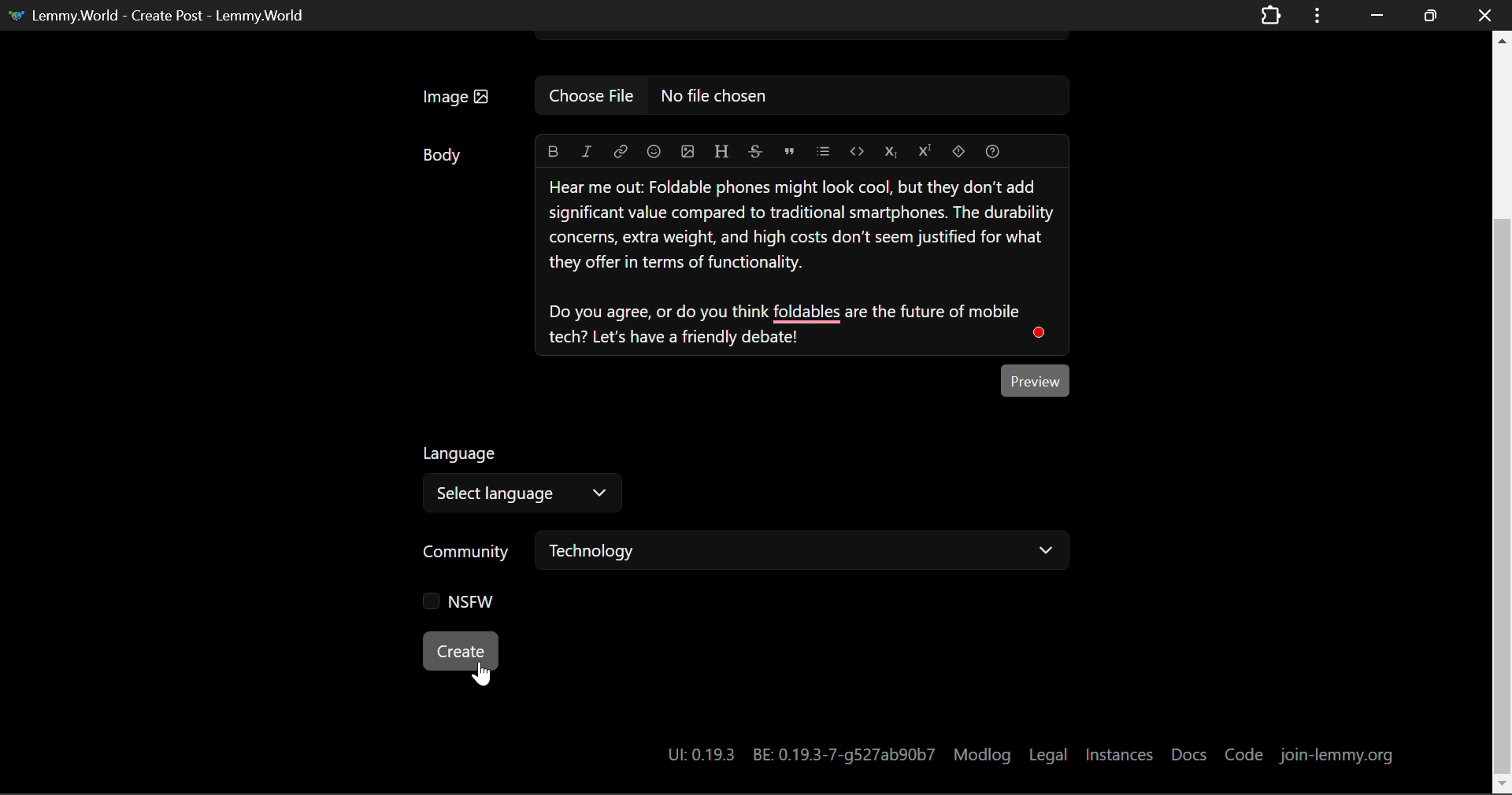 This screenshot has height=795, width=1512. Describe the element at coordinates (1317, 14) in the screenshot. I see `Application Options Menu` at that location.